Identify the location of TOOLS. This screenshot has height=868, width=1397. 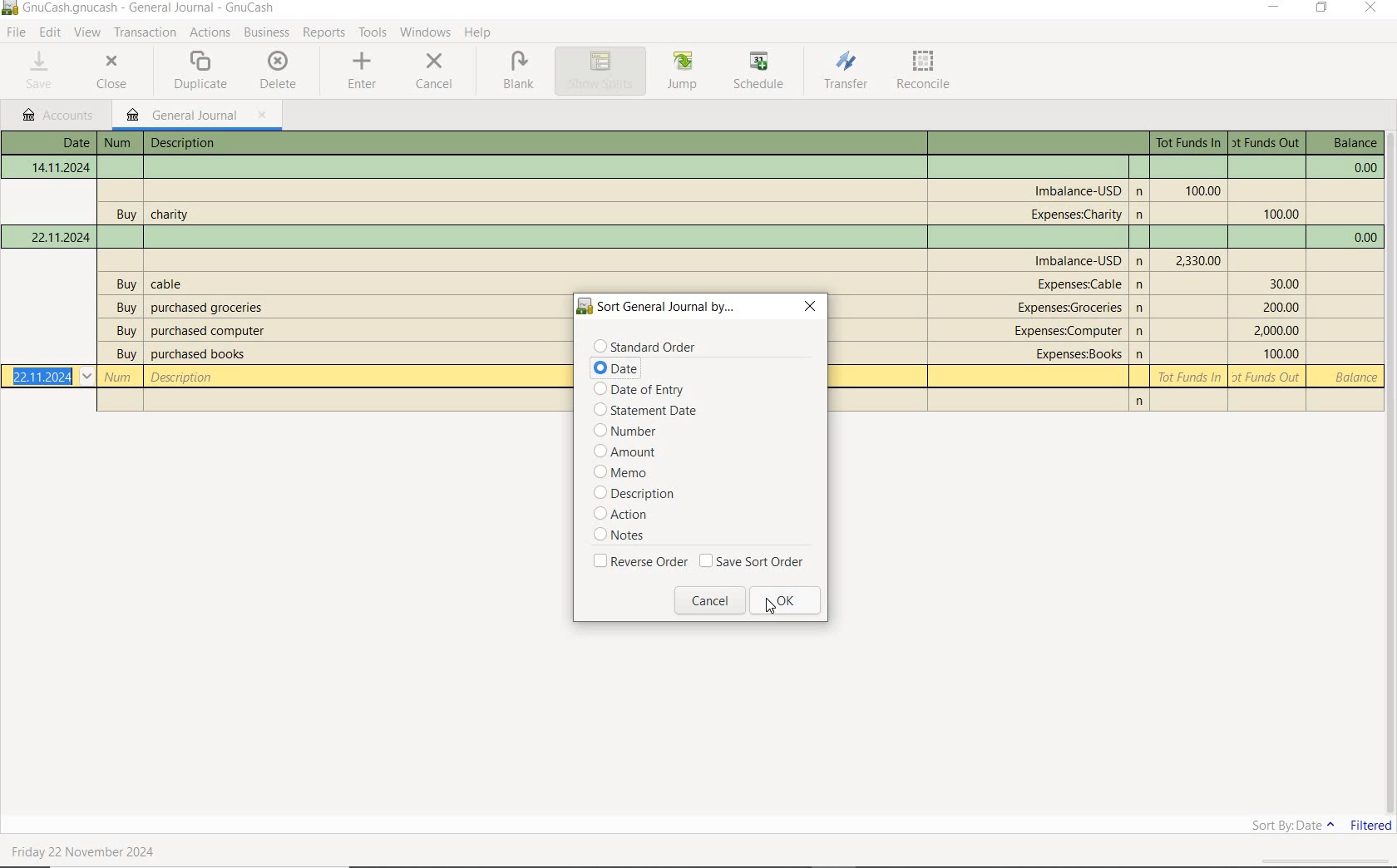
(373, 33).